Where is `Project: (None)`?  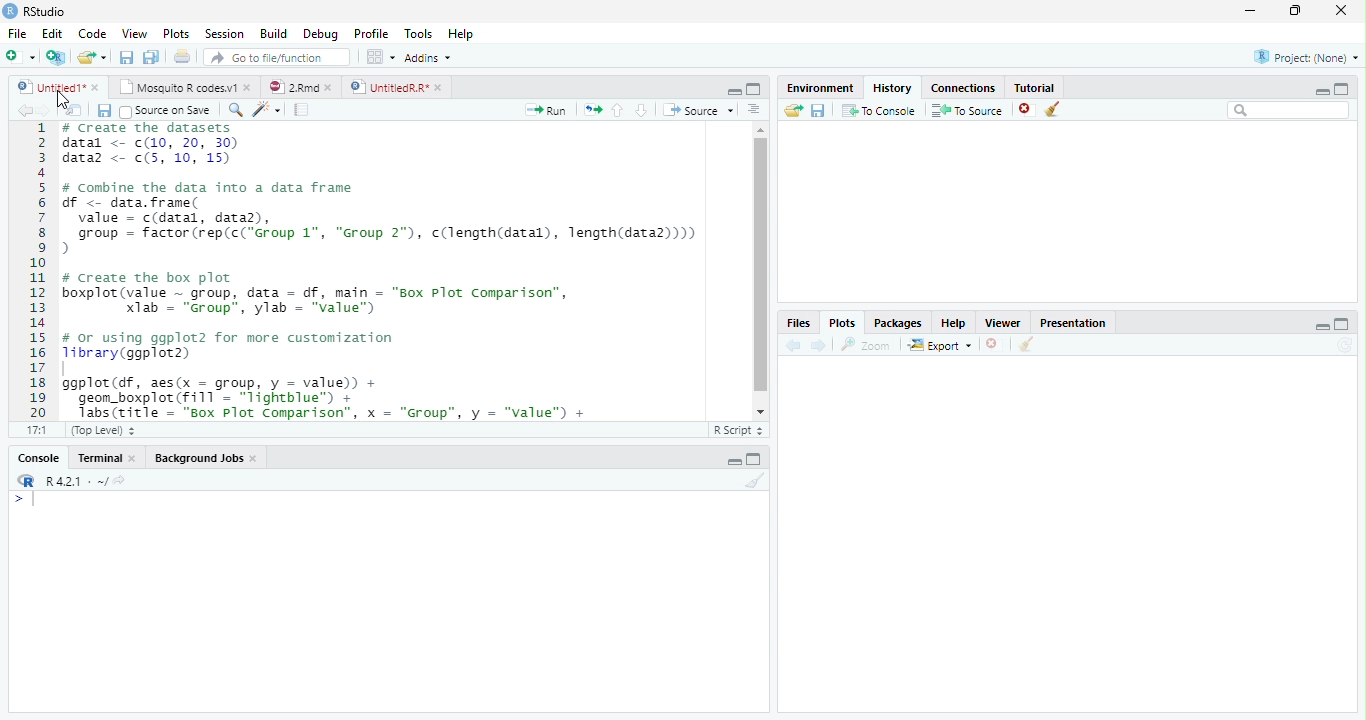
Project: (None) is located at coordinates (1307, 57).